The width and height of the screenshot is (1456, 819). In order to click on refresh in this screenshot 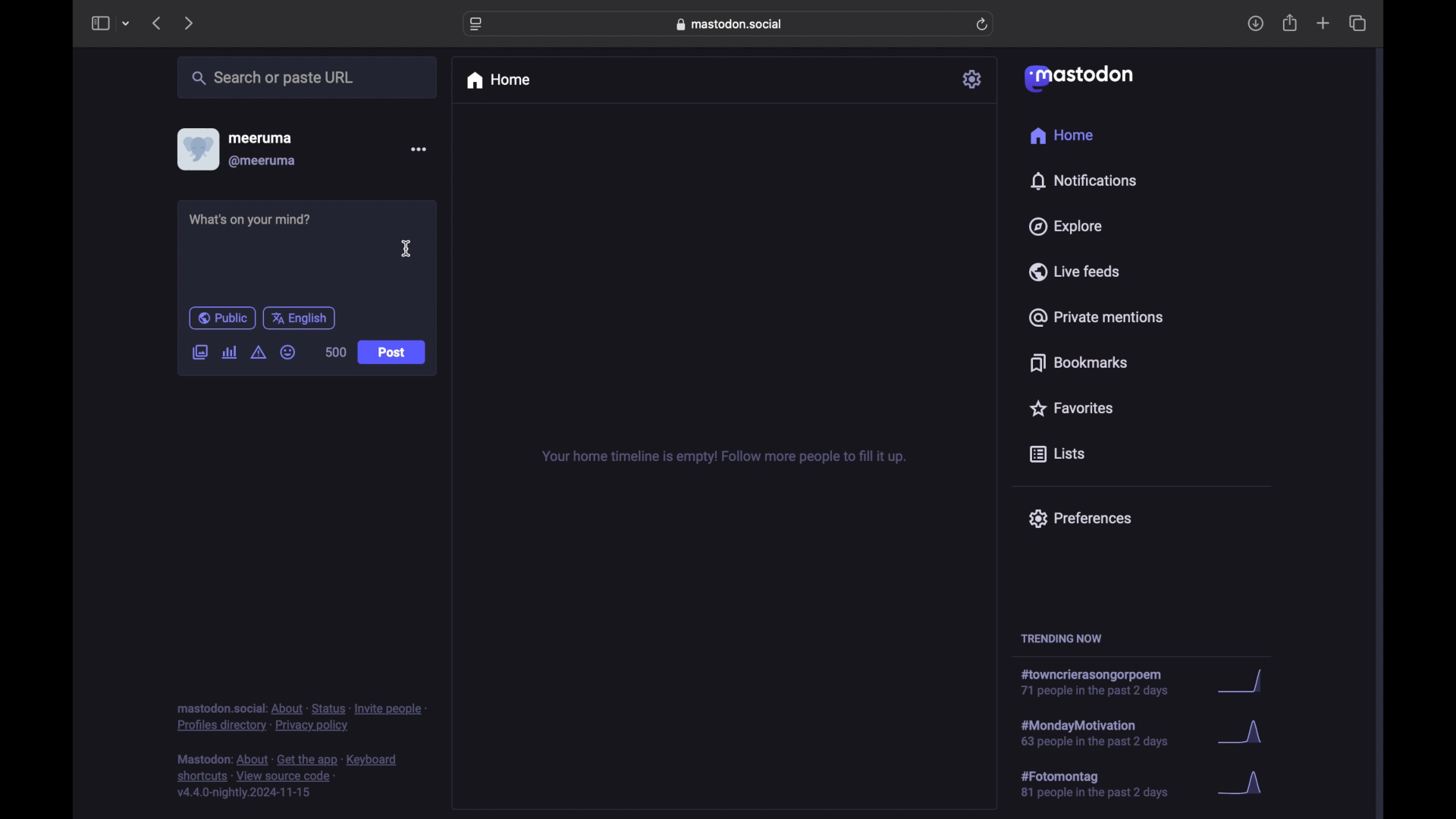, I will do `click(982, 24)`.